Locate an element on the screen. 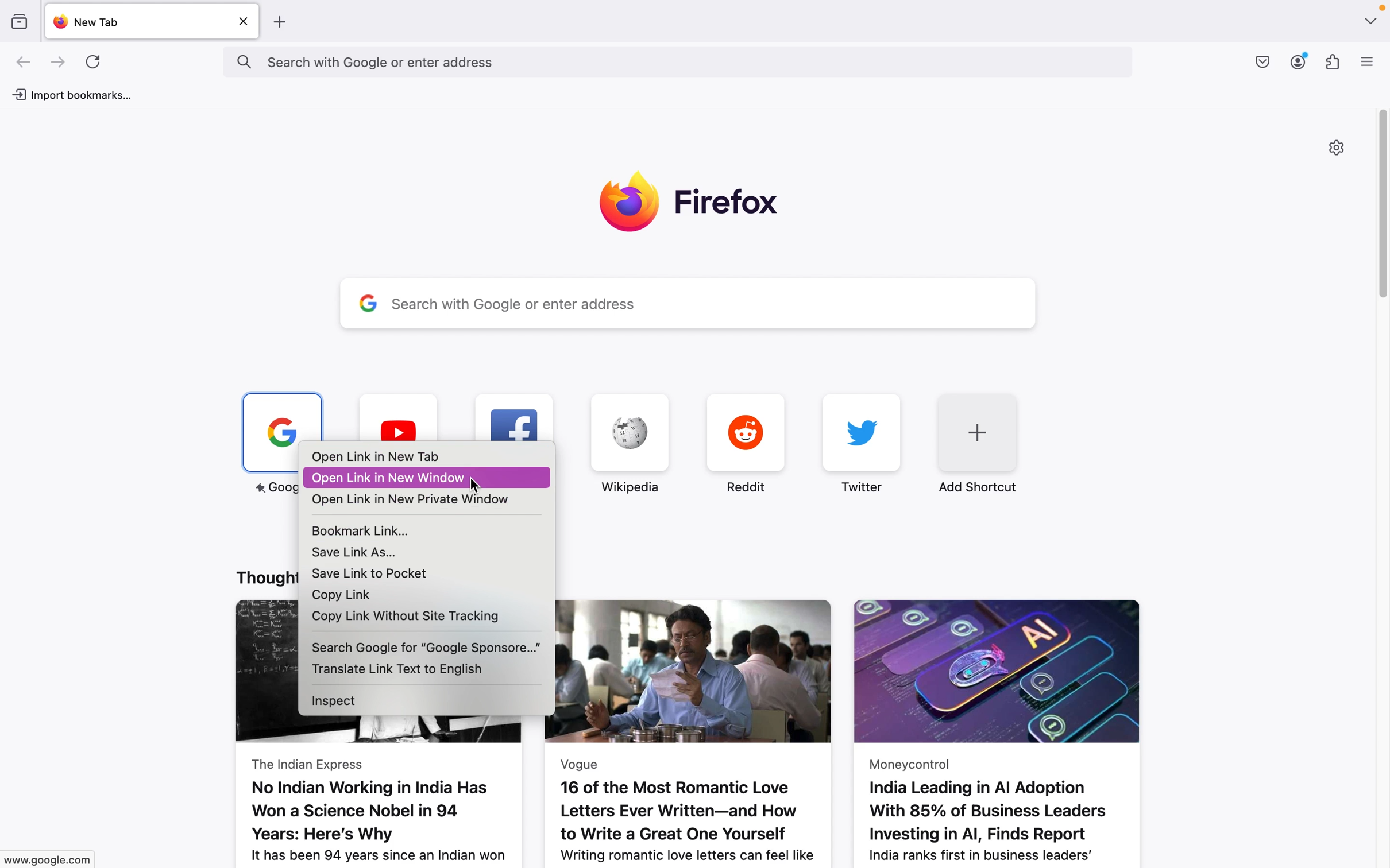 The image size is (1390, 868). open link in new private window is located at coordinates (409, 499).